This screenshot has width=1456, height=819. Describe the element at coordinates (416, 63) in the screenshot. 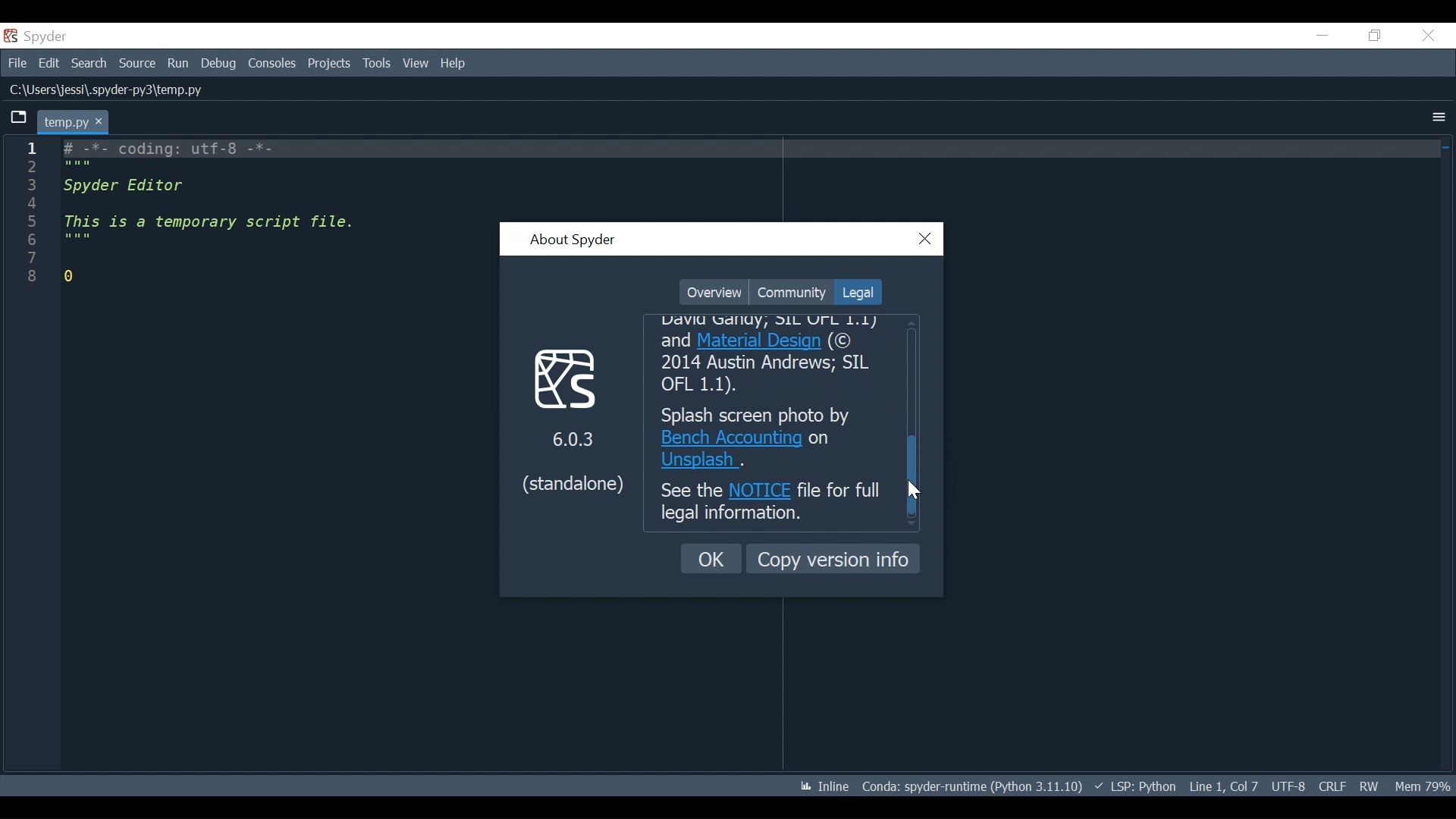

I see `View` at that location.